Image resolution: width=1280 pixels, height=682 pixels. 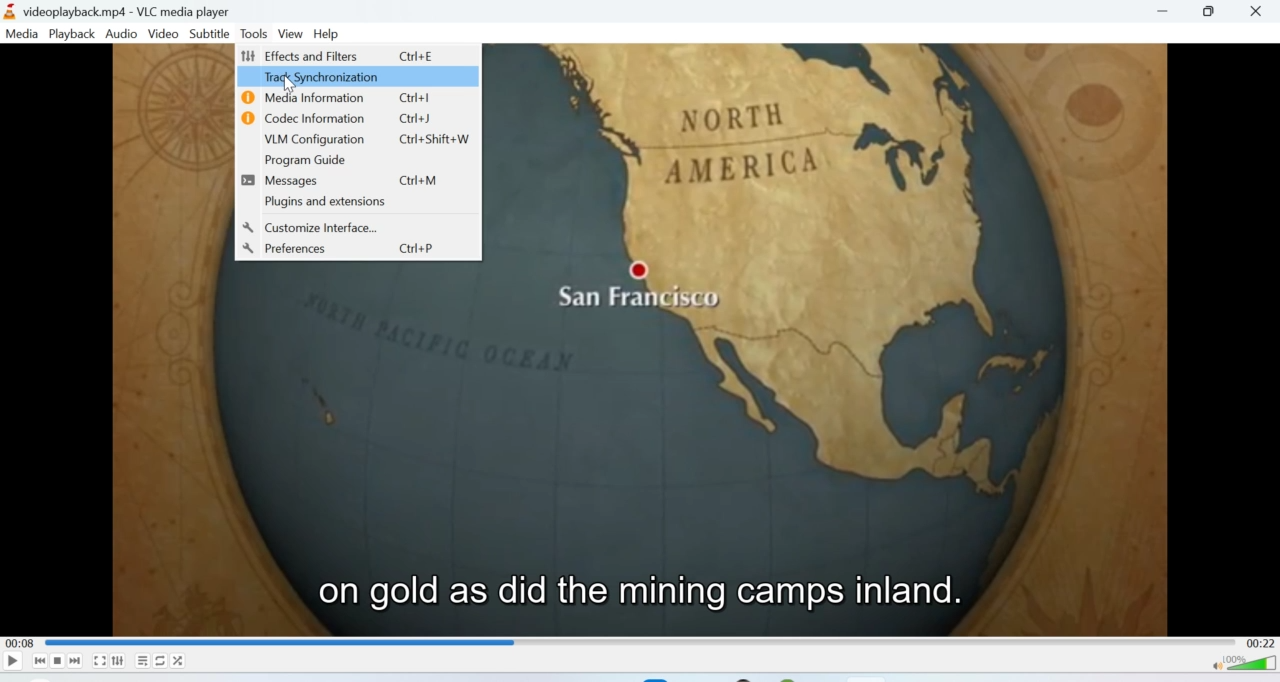 What do you see at coordinates (300, 55) in the screenshot?
I see `Effects and Filters` at bounding box center [300, 55].